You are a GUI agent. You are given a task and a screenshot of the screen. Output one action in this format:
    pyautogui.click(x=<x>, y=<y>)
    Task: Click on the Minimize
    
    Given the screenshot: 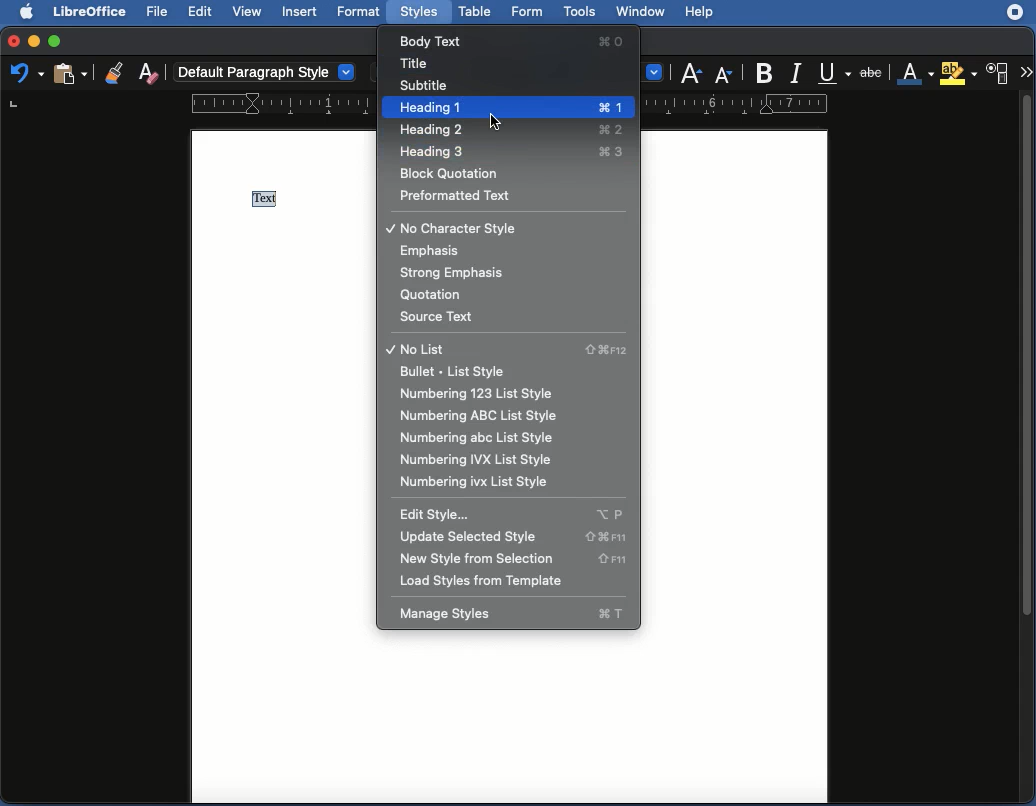 What is the action you would take?
    pyautogui.click(x=34, y=42)
    